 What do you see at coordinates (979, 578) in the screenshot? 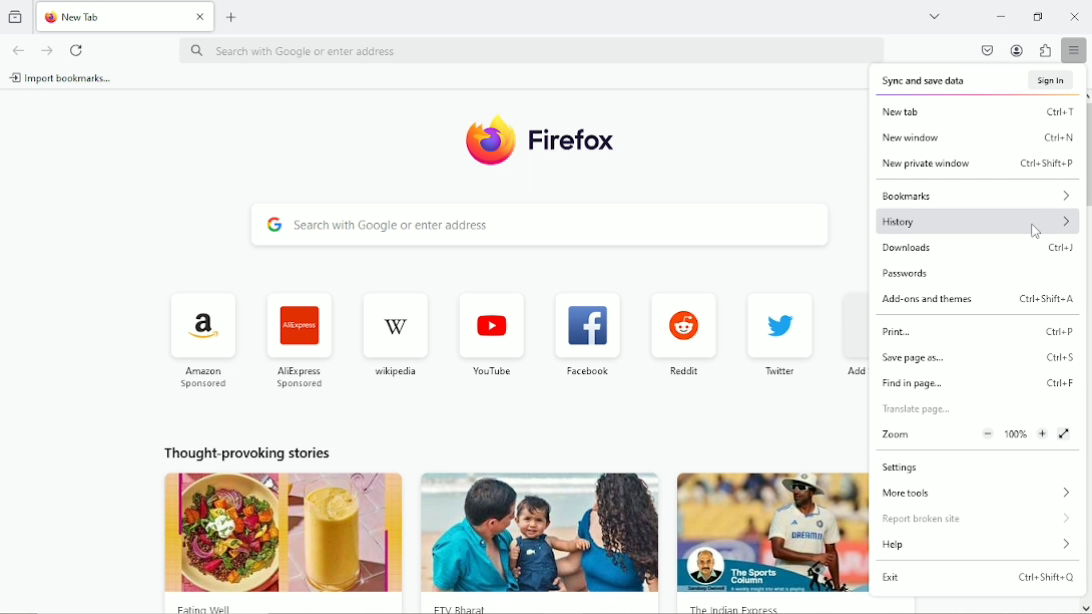
I see `exit` at bounding box center [979, 578].